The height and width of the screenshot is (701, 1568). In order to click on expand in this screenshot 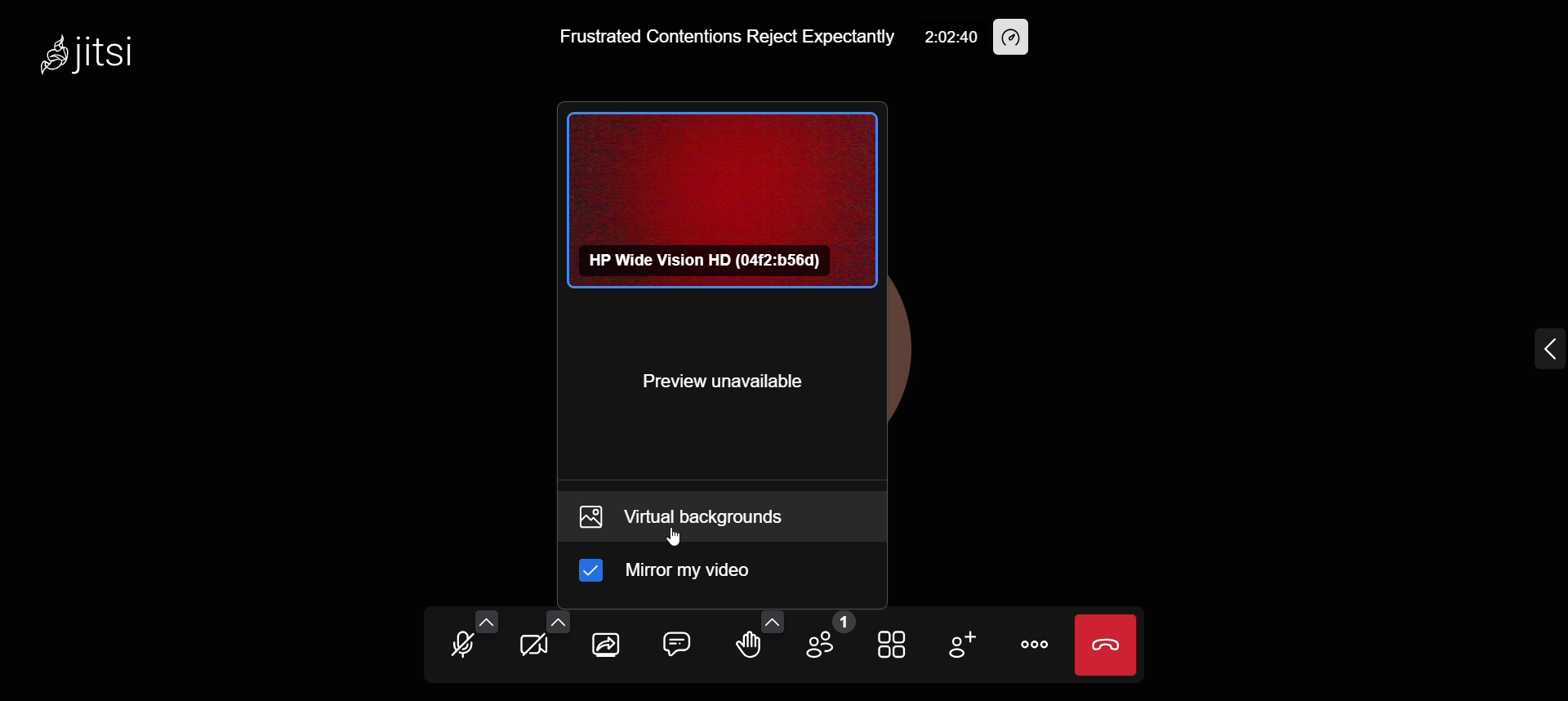, I will do `click(1538, 352)`.